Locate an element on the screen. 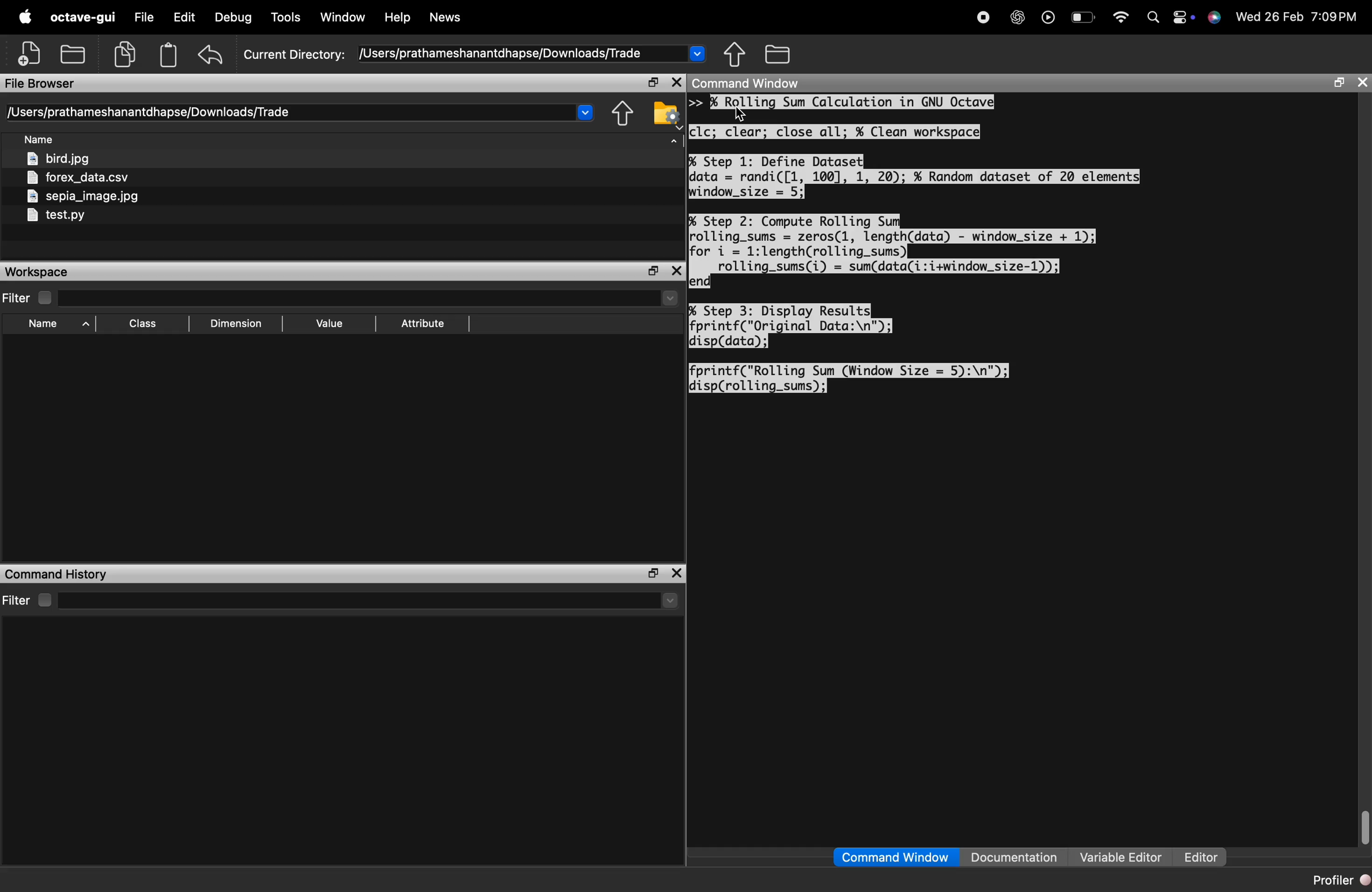 This screenshot has height=892, width=1372. console code - Rolling Sum Calculation in GNU Octave clc; clear; close all; % Clean workspace Step 1: Define Dataset data randi ([1, 100], 1, 20); % Random dataset of 20 elements window size = 5; Step 2: Compute Rolling Sum rolling_sums = zeros(1, length(data) window size + 1); for i 1:length(rolling_sums) rolling_sums(i) = sum(data(i:i+window_size-1)); end EX > Step 3: Display Results fprintf("Original Data:\n"); disp(data); fprintf("Rolling Sum (Window Size = 5):\n"); disp(rolling_sums) is located at coordinates (922, 258).